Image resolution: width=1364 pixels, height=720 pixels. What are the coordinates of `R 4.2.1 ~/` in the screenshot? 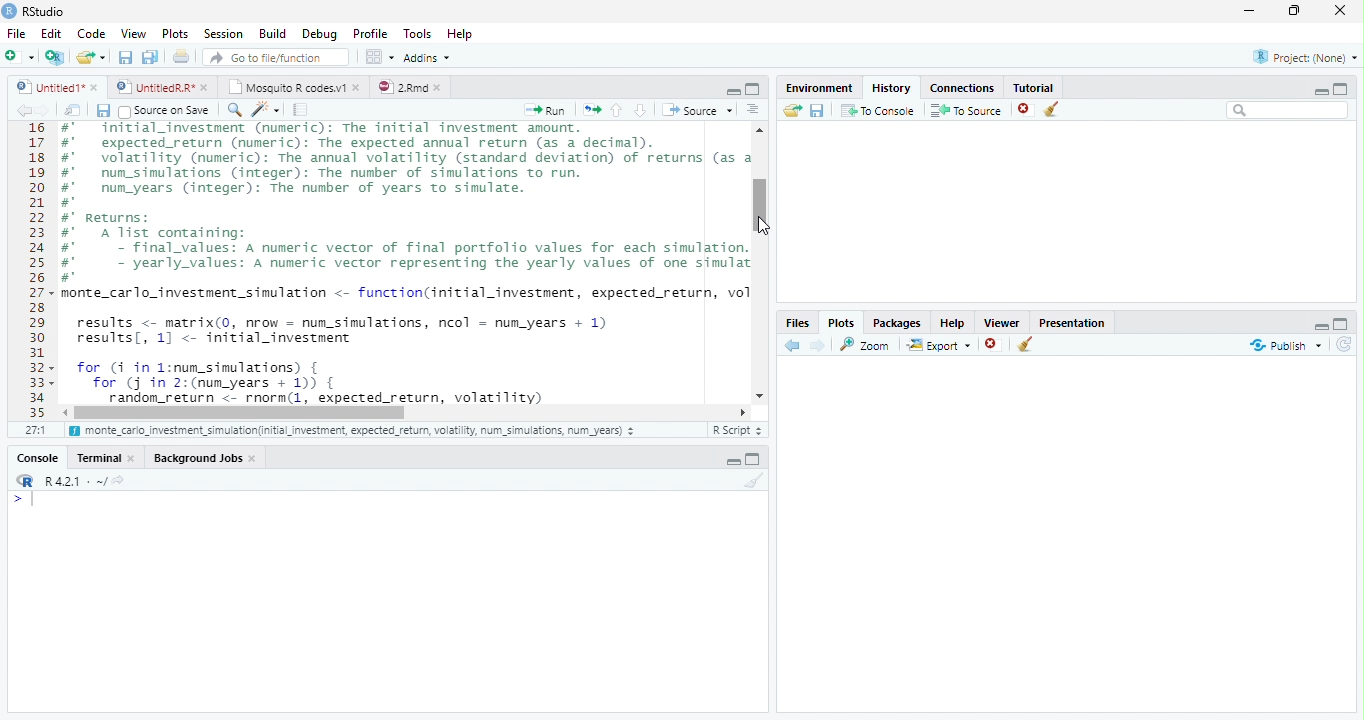 It's located at (67, 479).